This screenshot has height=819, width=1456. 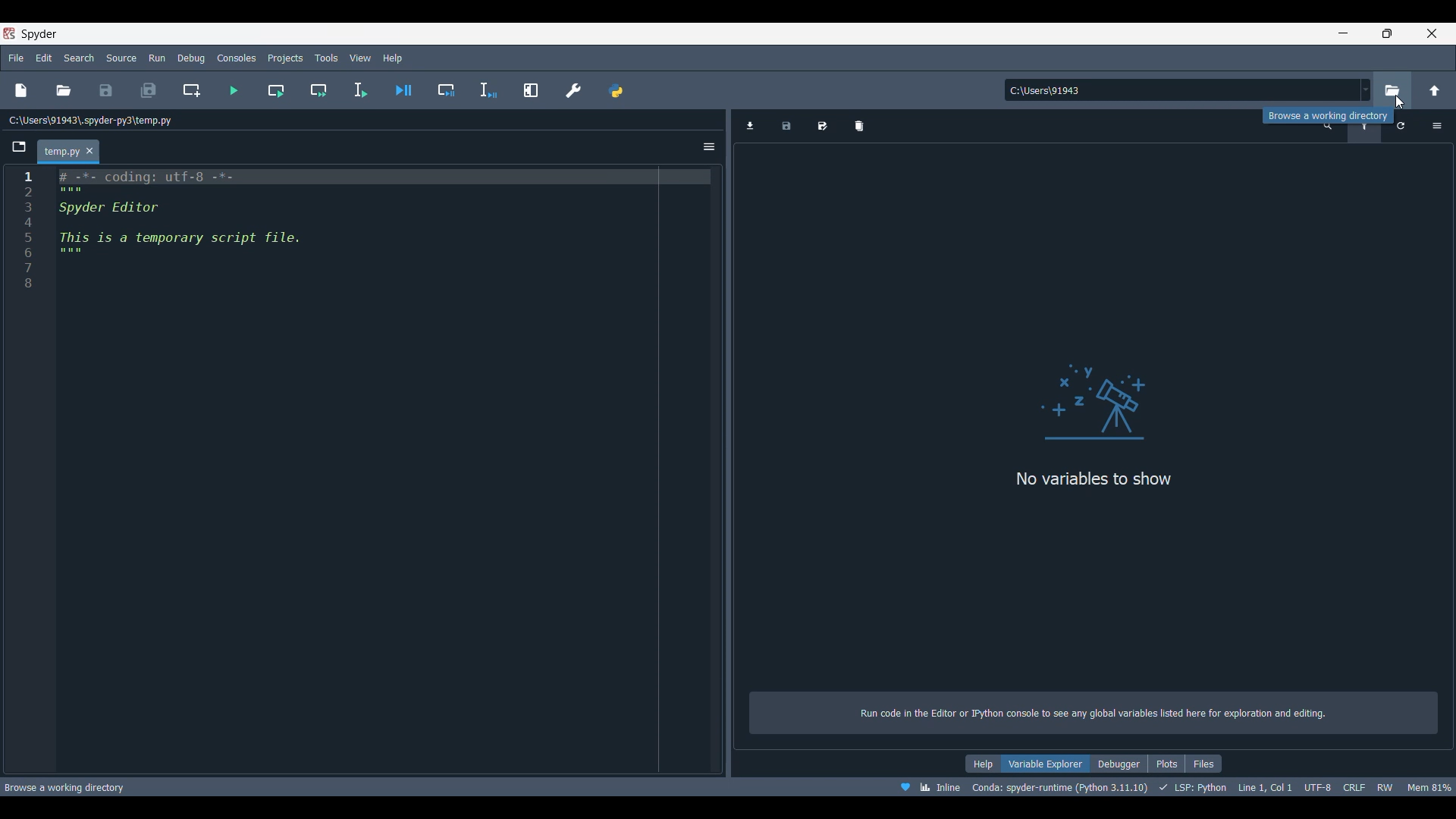 What do you see at coordinates (1388, 33) in the screenshot?
I see `Show in smaller tab` at bounding box center [1388, 33].